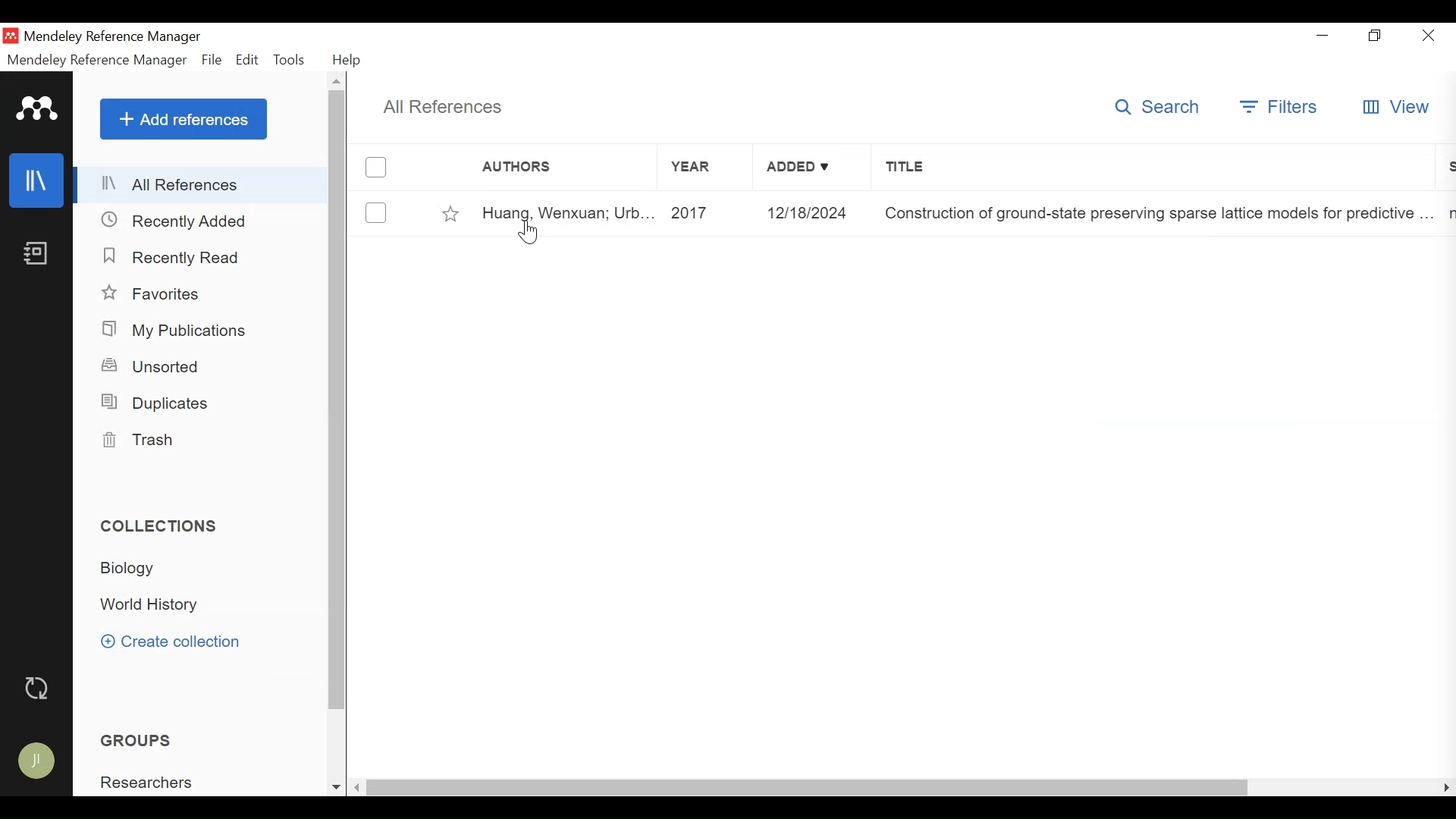 The width and height of the screenshot is (1456, 819). What do you see at coordinates (375, 168) in the screenshot?
I see `(un)select al` at bounding box center [375, 168].